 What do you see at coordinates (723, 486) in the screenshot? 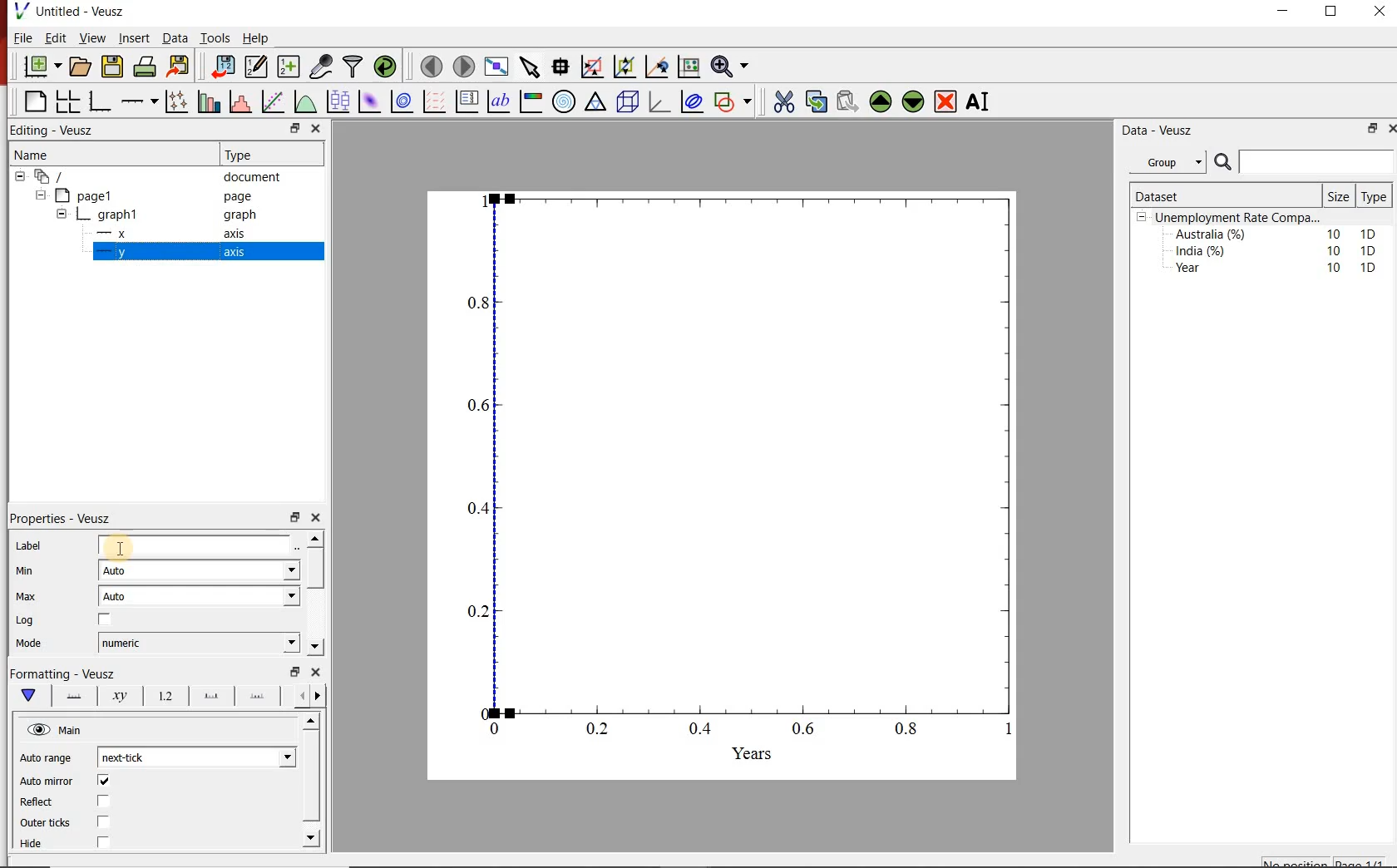
I see `graph chart` at bounding box center [723, 486].